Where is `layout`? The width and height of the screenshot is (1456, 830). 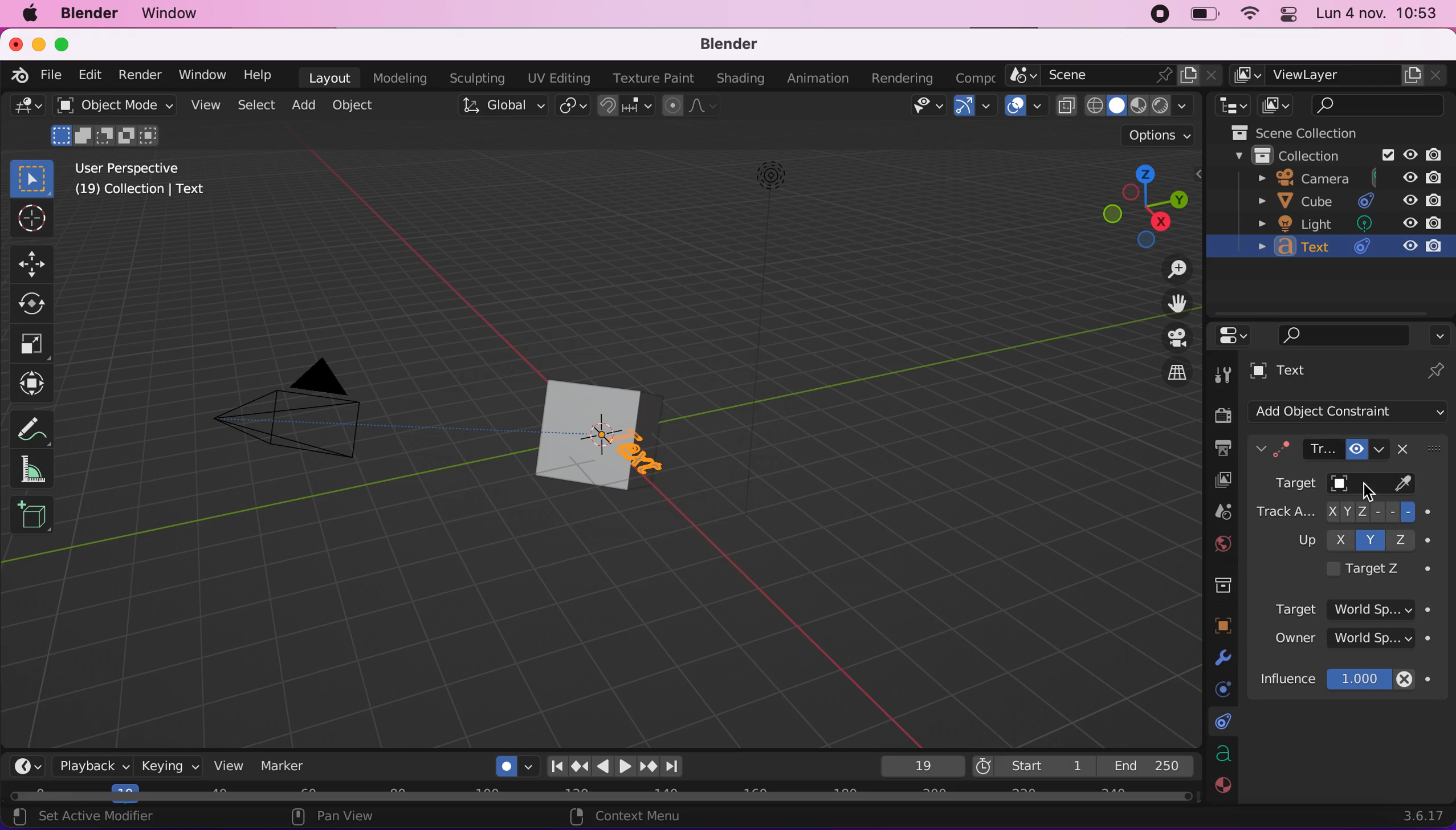 layout is located at coordinates (331, 76).